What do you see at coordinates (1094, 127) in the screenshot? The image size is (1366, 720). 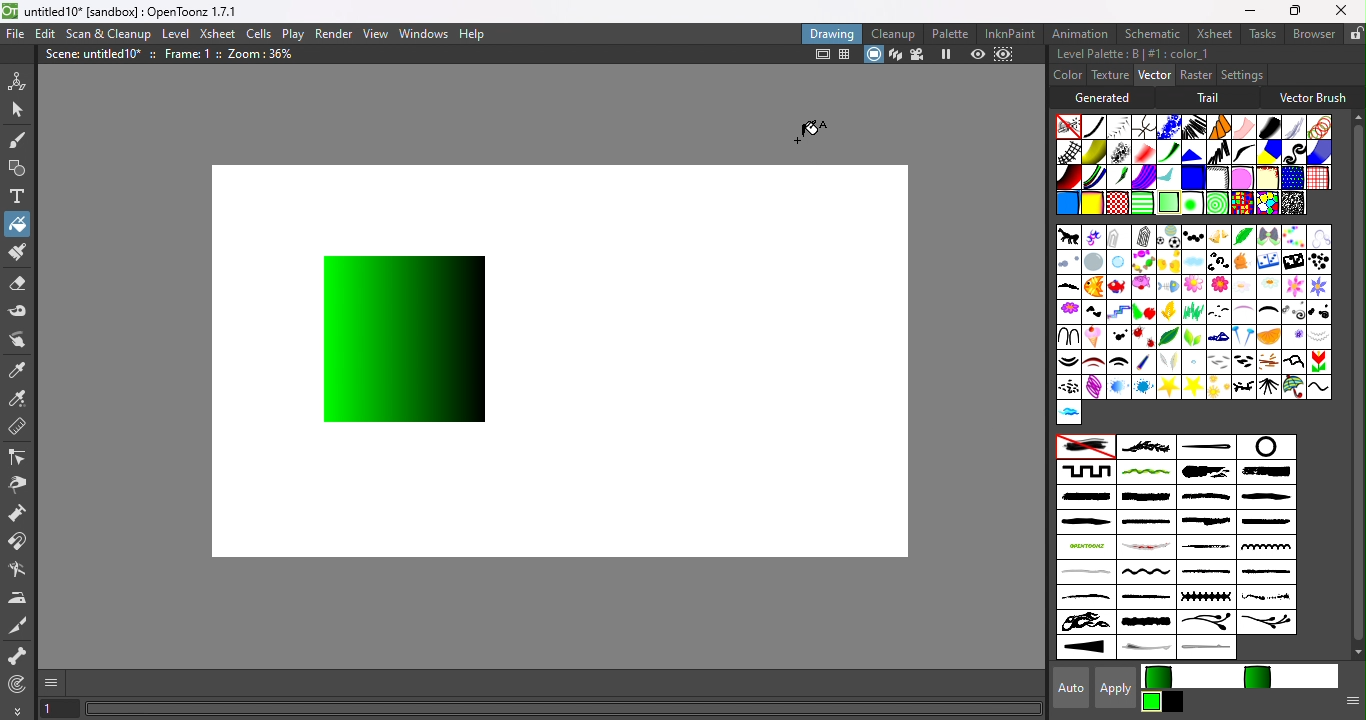 I see `Constant` at bounding box center [1094, 127].